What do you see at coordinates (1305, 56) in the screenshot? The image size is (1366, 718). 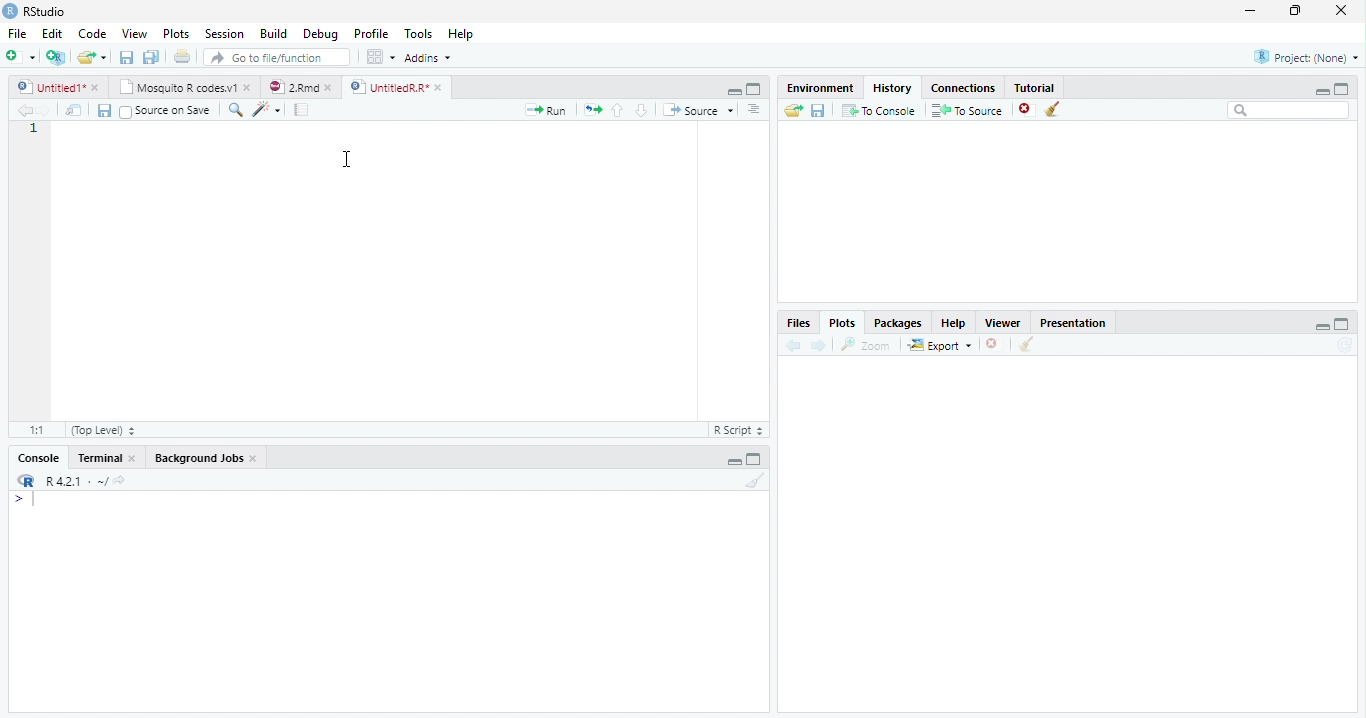 I see `Project(none)` at bounding box center [1305, 56].